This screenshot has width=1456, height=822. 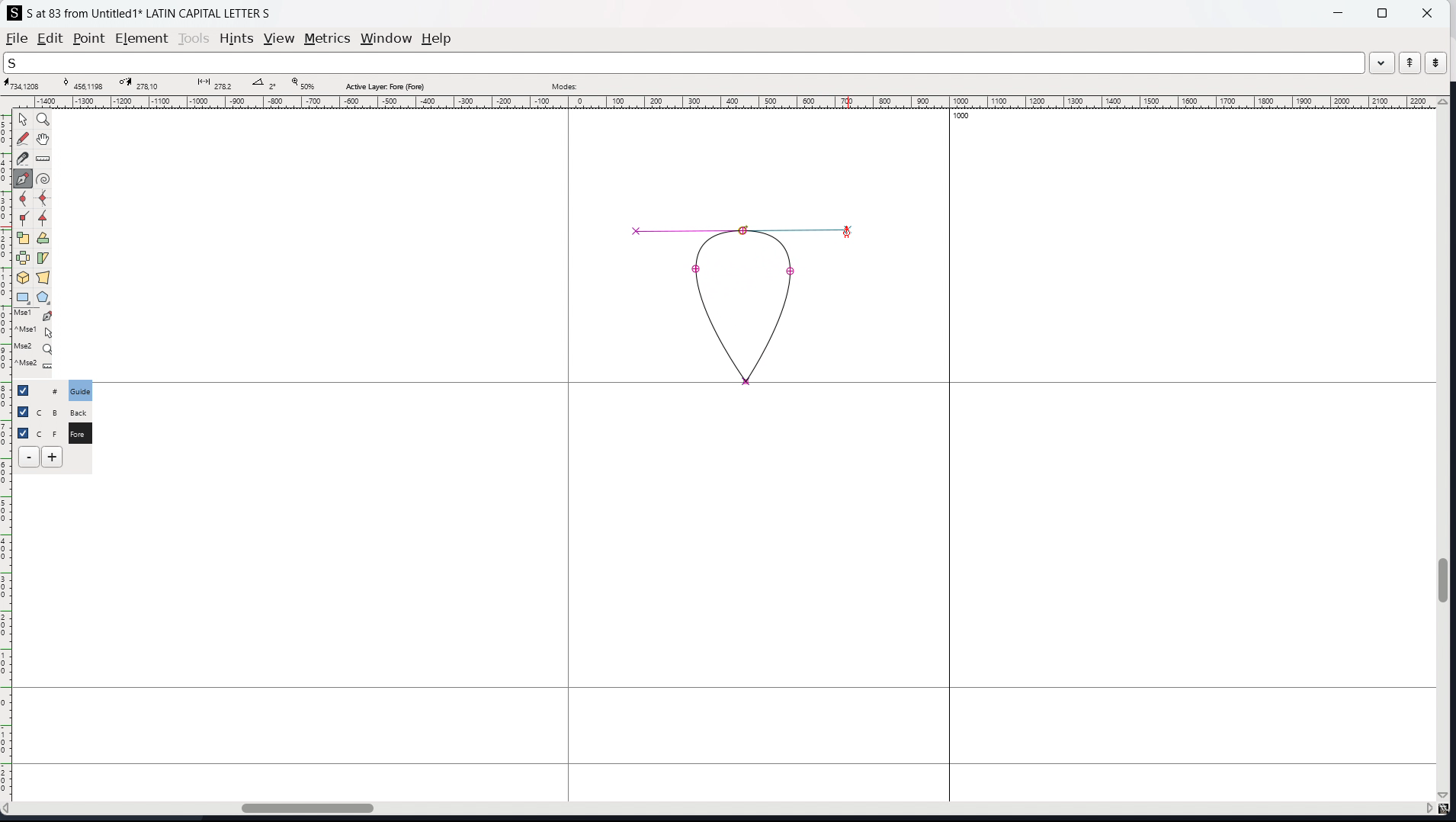 I want to click on toggle spiro, so click(x=43, y=178).